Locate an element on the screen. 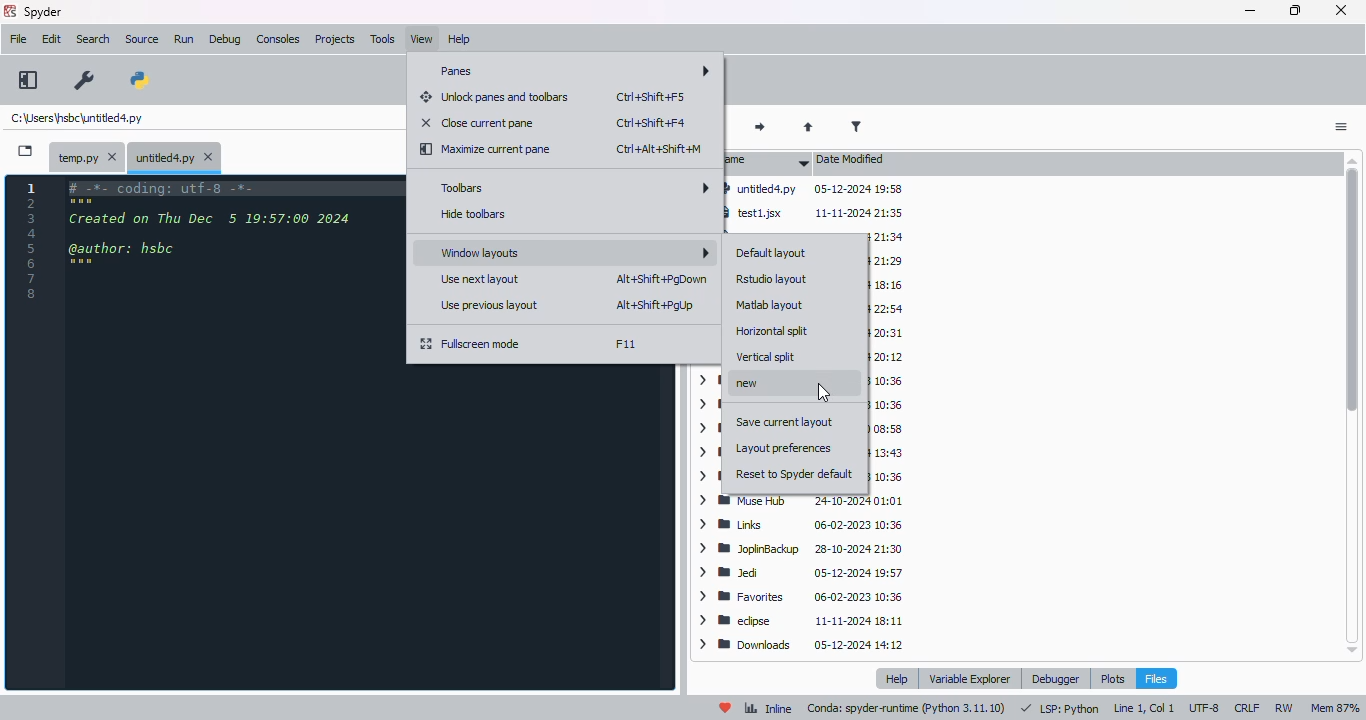 The image size is (1366, 720). cursor is located at coordinates (824, 393).